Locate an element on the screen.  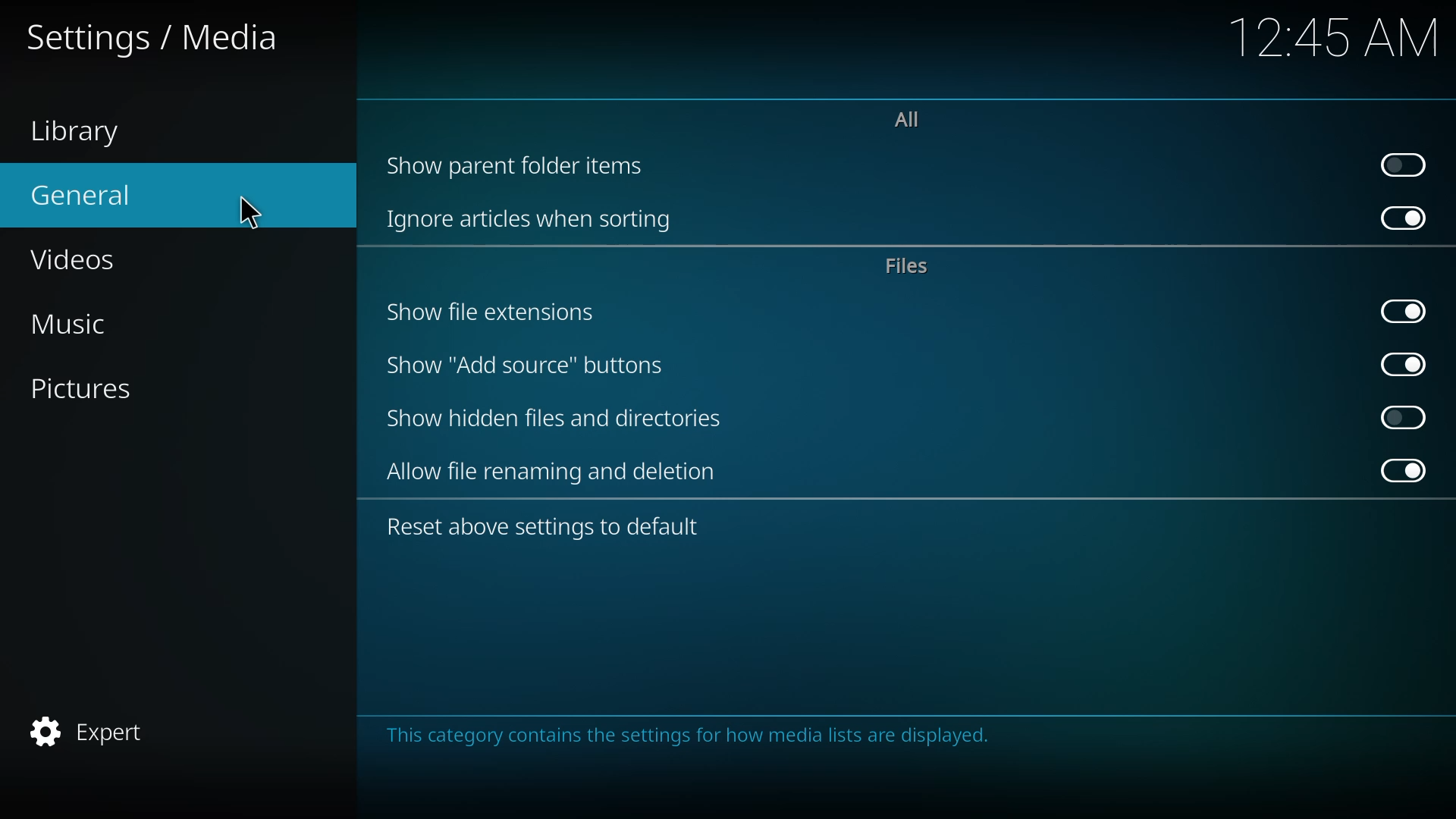
show add source button is located at coordinates (526, 366).